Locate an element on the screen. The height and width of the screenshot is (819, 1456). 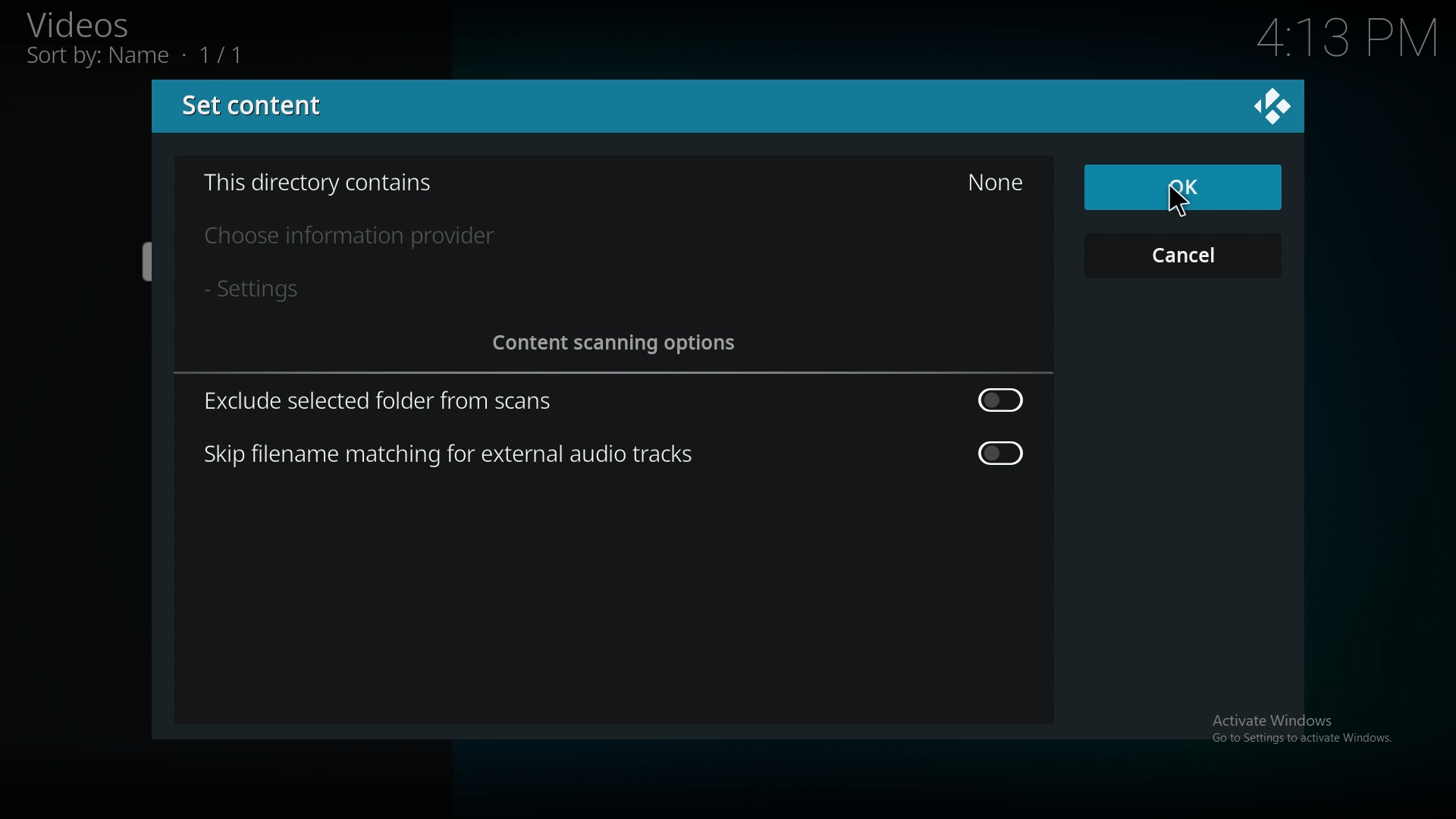
skip filename matching for external audio tracks is located at coordinates (457, 453).